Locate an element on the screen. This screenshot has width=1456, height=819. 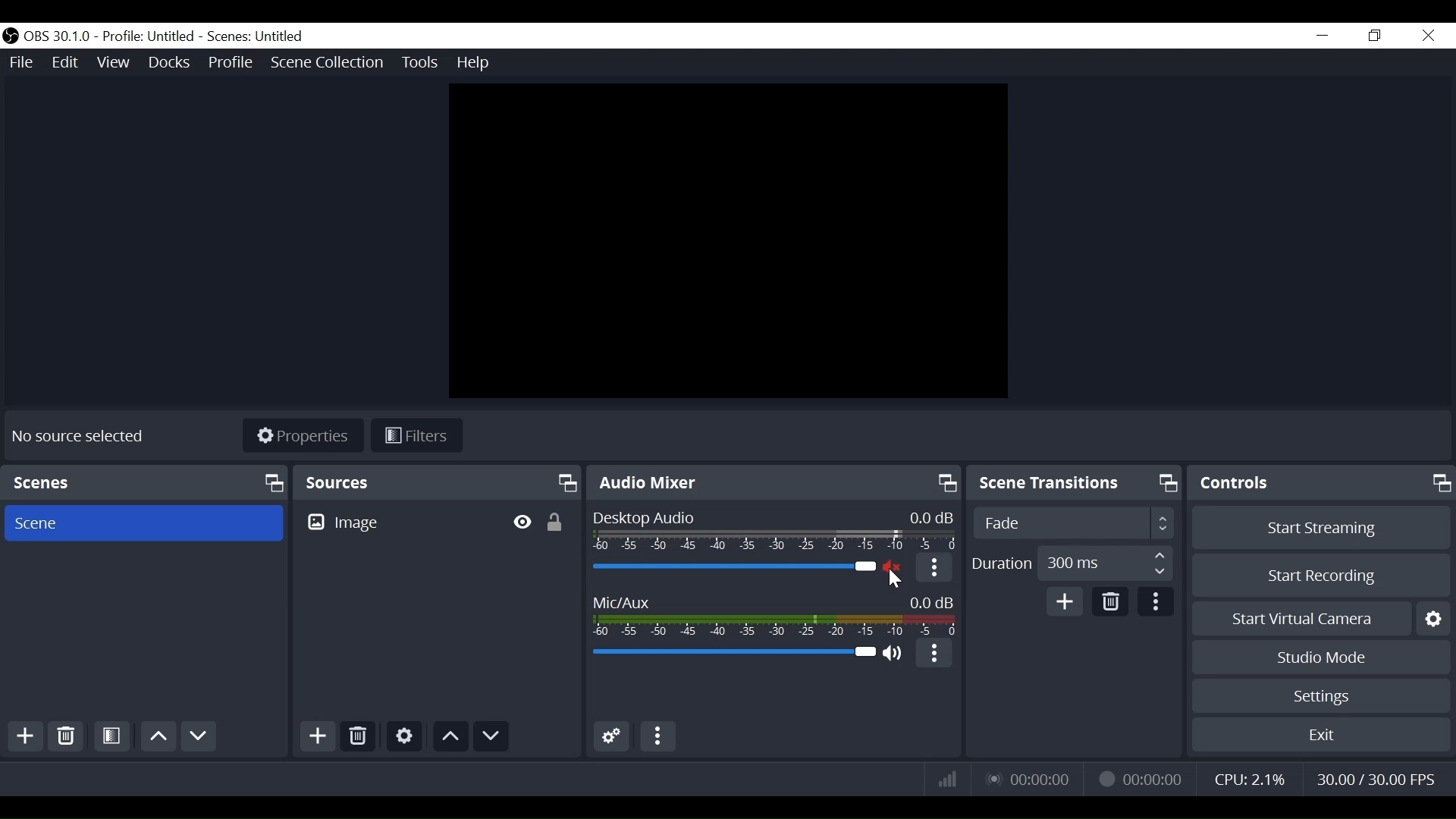
Desktop Audio is located at coordinates (776, 531).